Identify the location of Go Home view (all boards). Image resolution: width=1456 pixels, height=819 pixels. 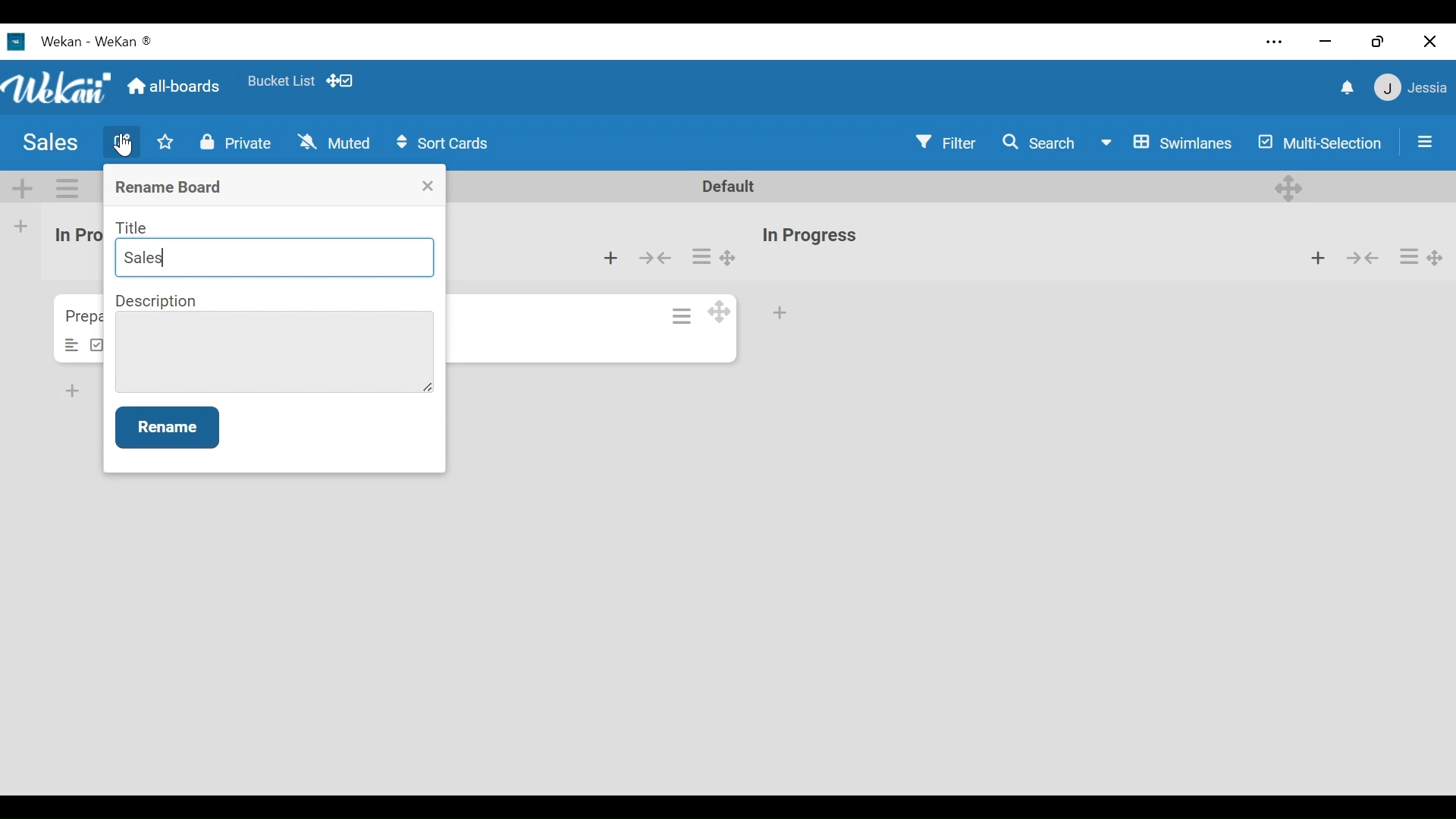
(176, 84).